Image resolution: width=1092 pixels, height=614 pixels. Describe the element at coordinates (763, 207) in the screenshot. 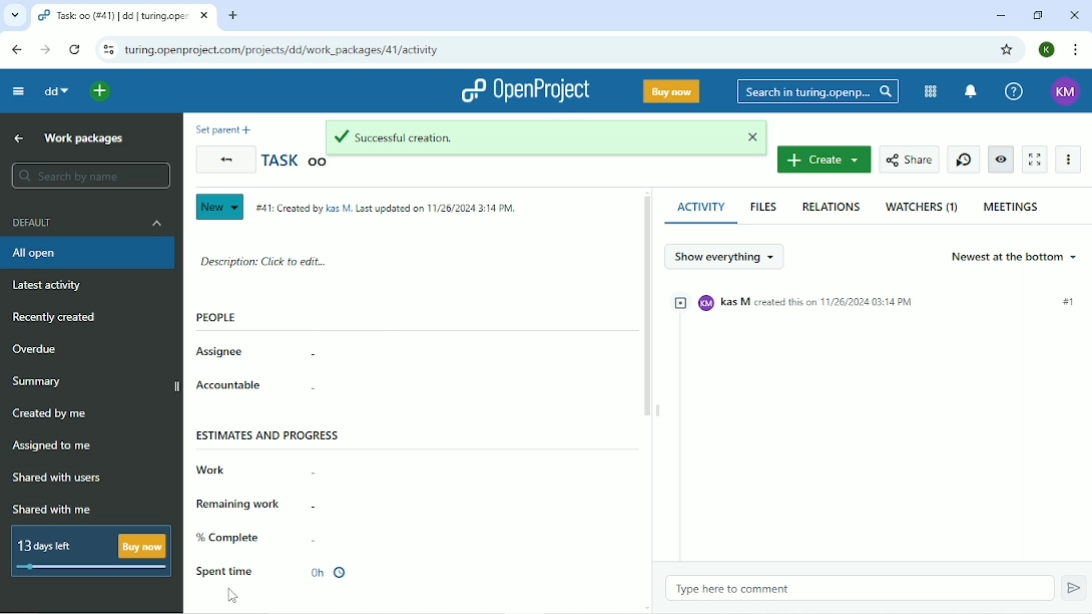

I see `Files` at that location.